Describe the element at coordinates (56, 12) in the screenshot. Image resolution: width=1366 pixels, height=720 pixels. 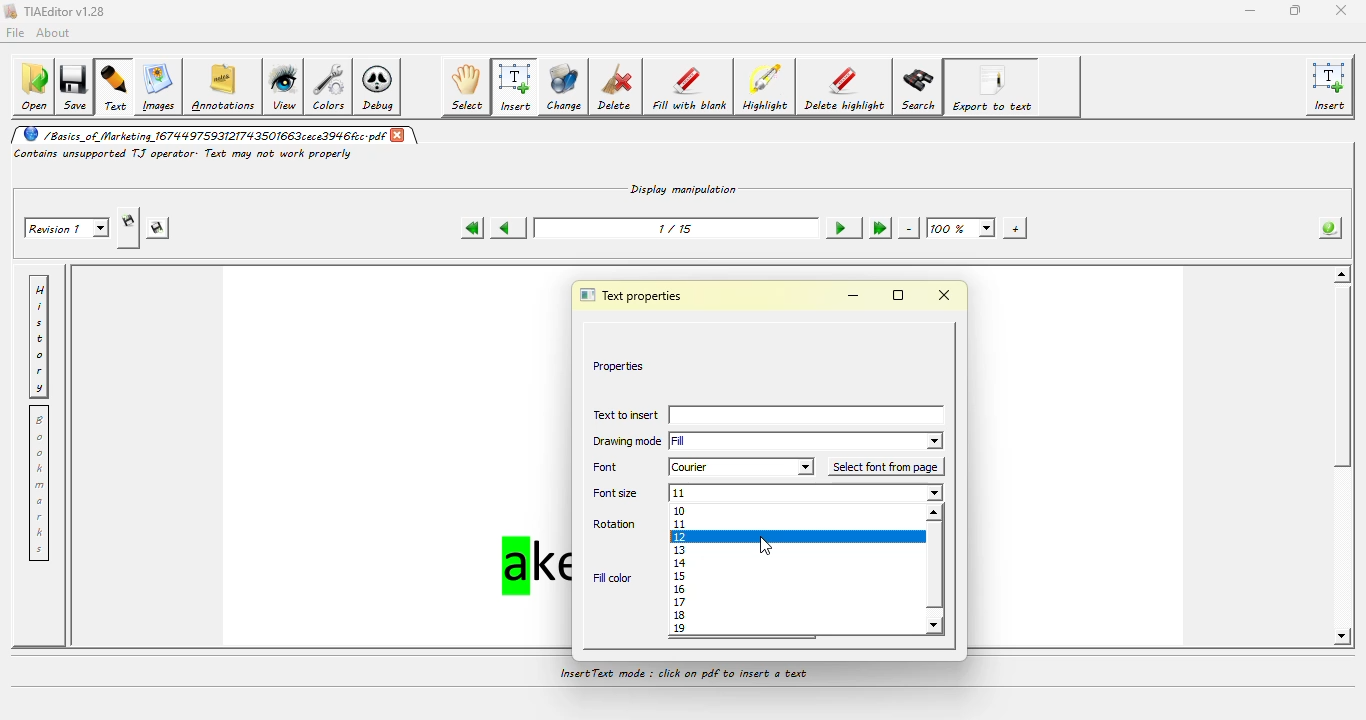
I see `TIAEditor v1.28` at that location.